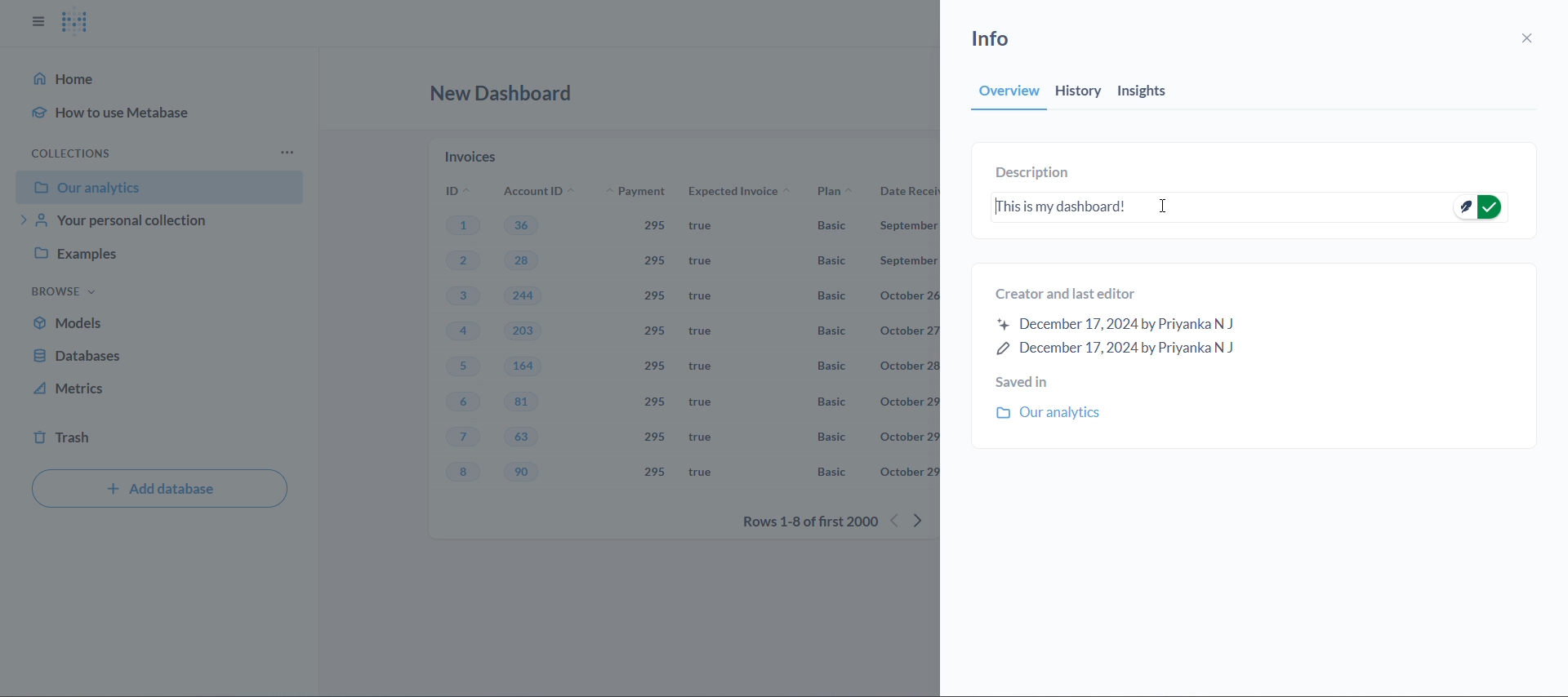 The image size is (1568, 697). I want to click on created and last editor information, so click(1134, 322).